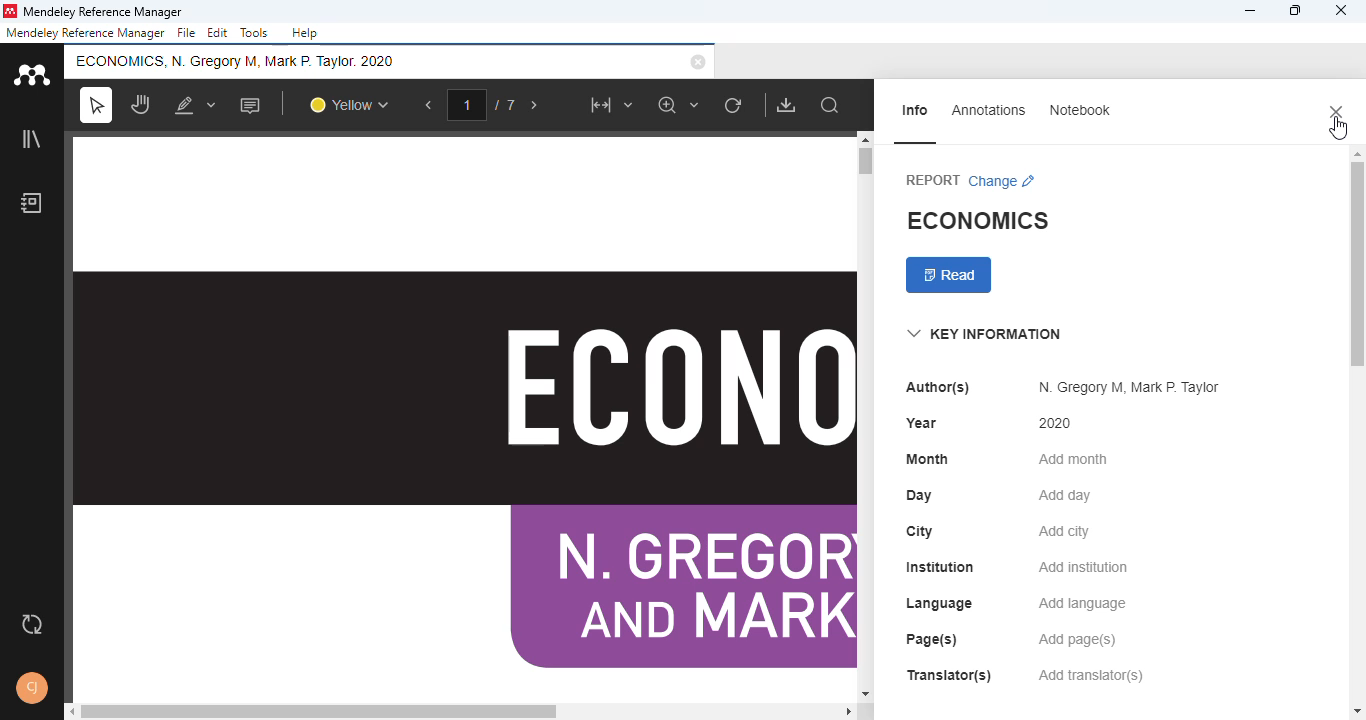  What do you see at coordinates (187, 33) in the screenshot?
I see `file` at bounding box center [187, 33].